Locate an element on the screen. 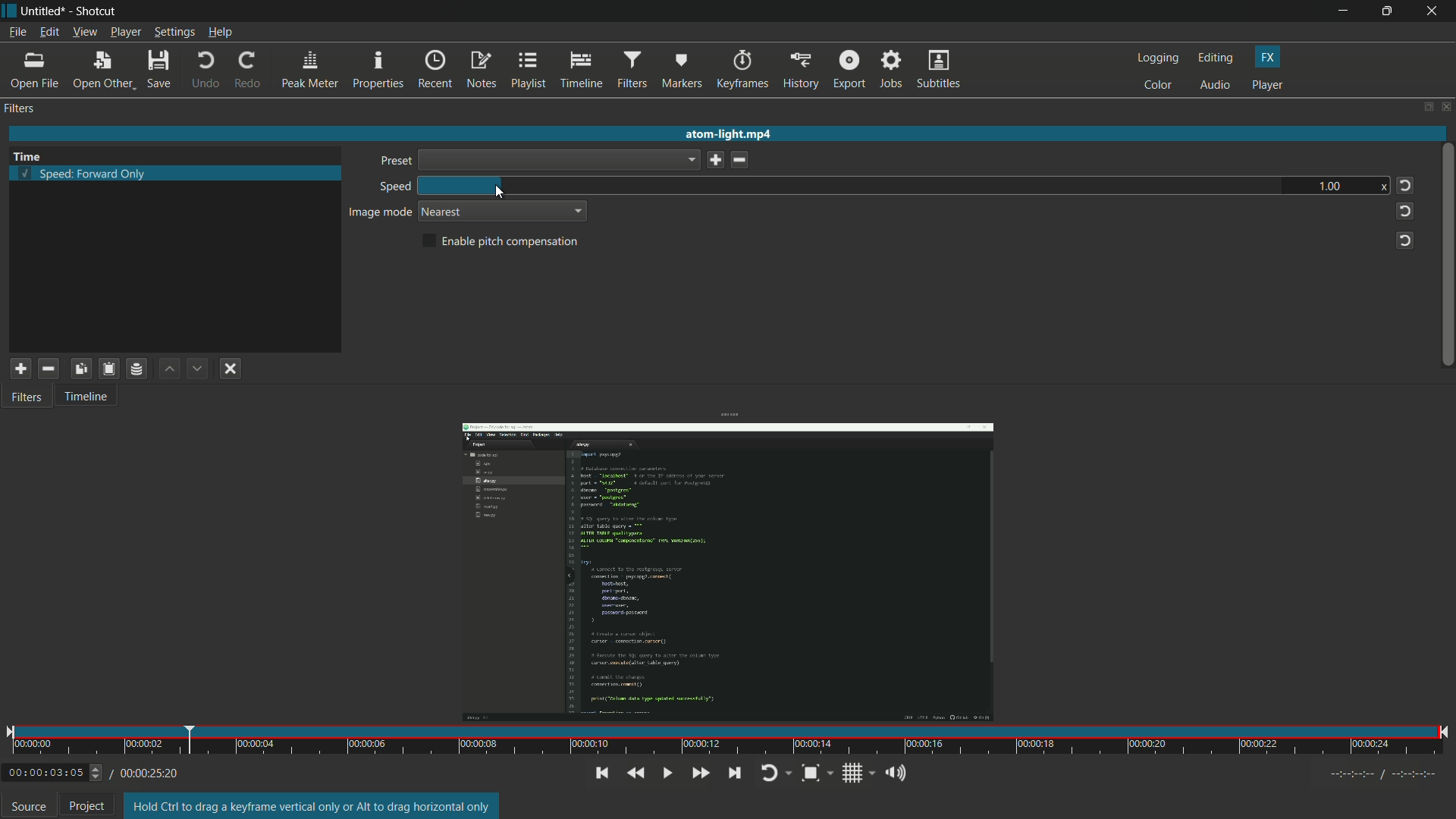  opened file is located at coordinates (724, 570).